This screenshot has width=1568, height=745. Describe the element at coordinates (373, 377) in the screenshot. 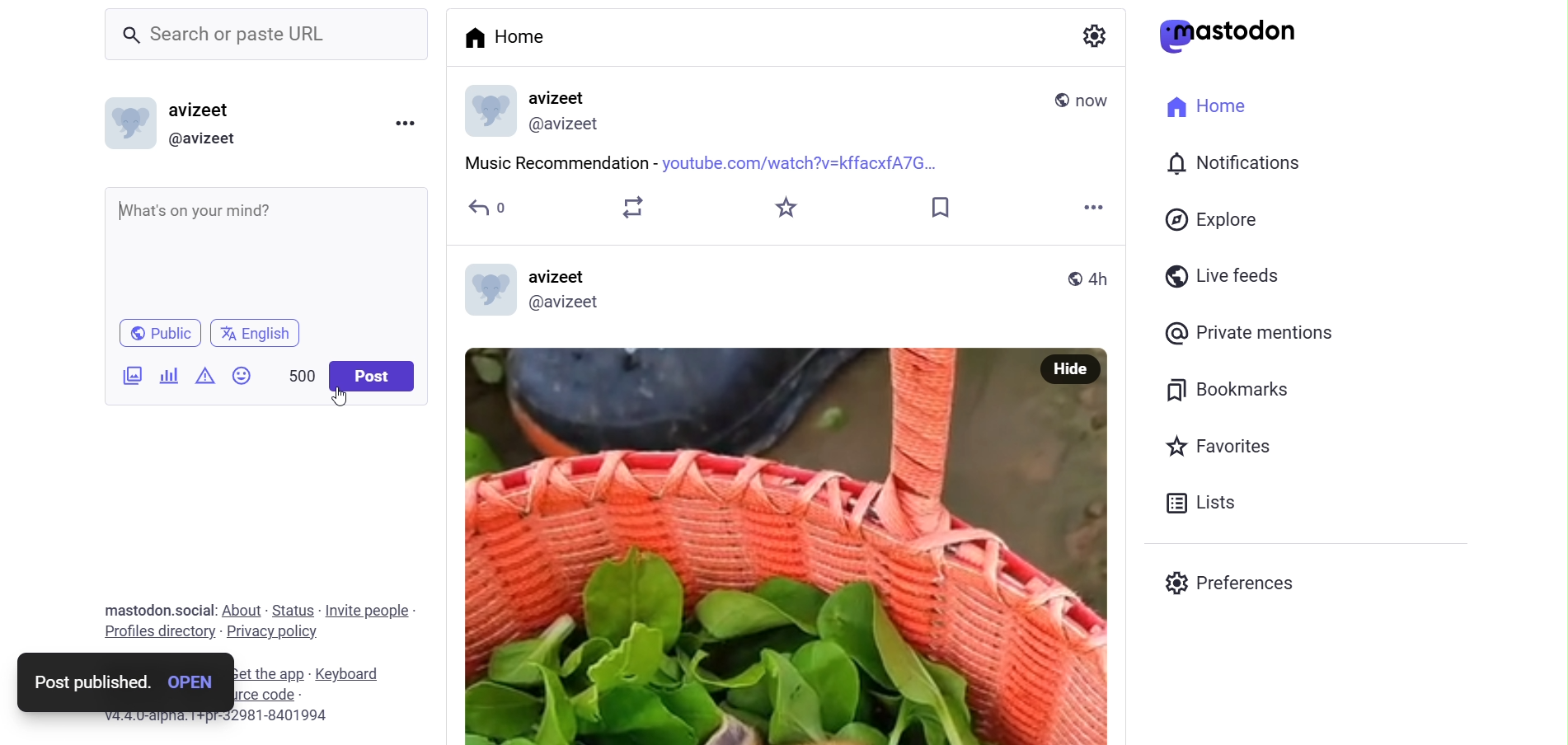

I see `Post` at that location.